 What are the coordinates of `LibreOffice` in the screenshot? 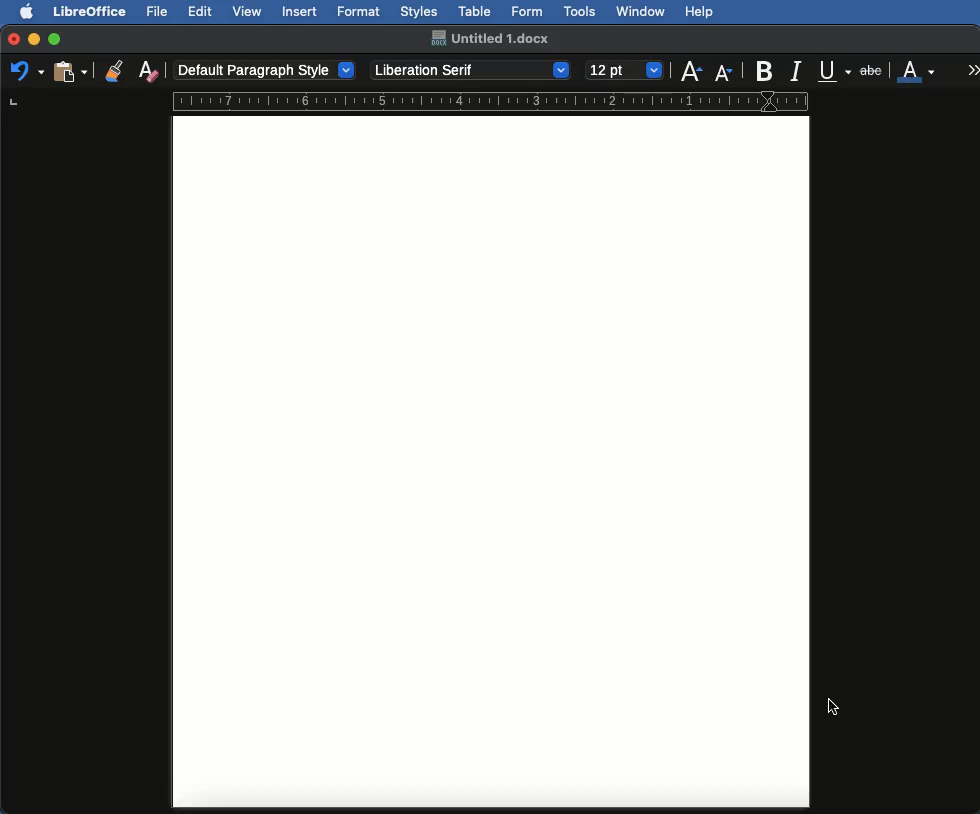 It's located at (89, 11).